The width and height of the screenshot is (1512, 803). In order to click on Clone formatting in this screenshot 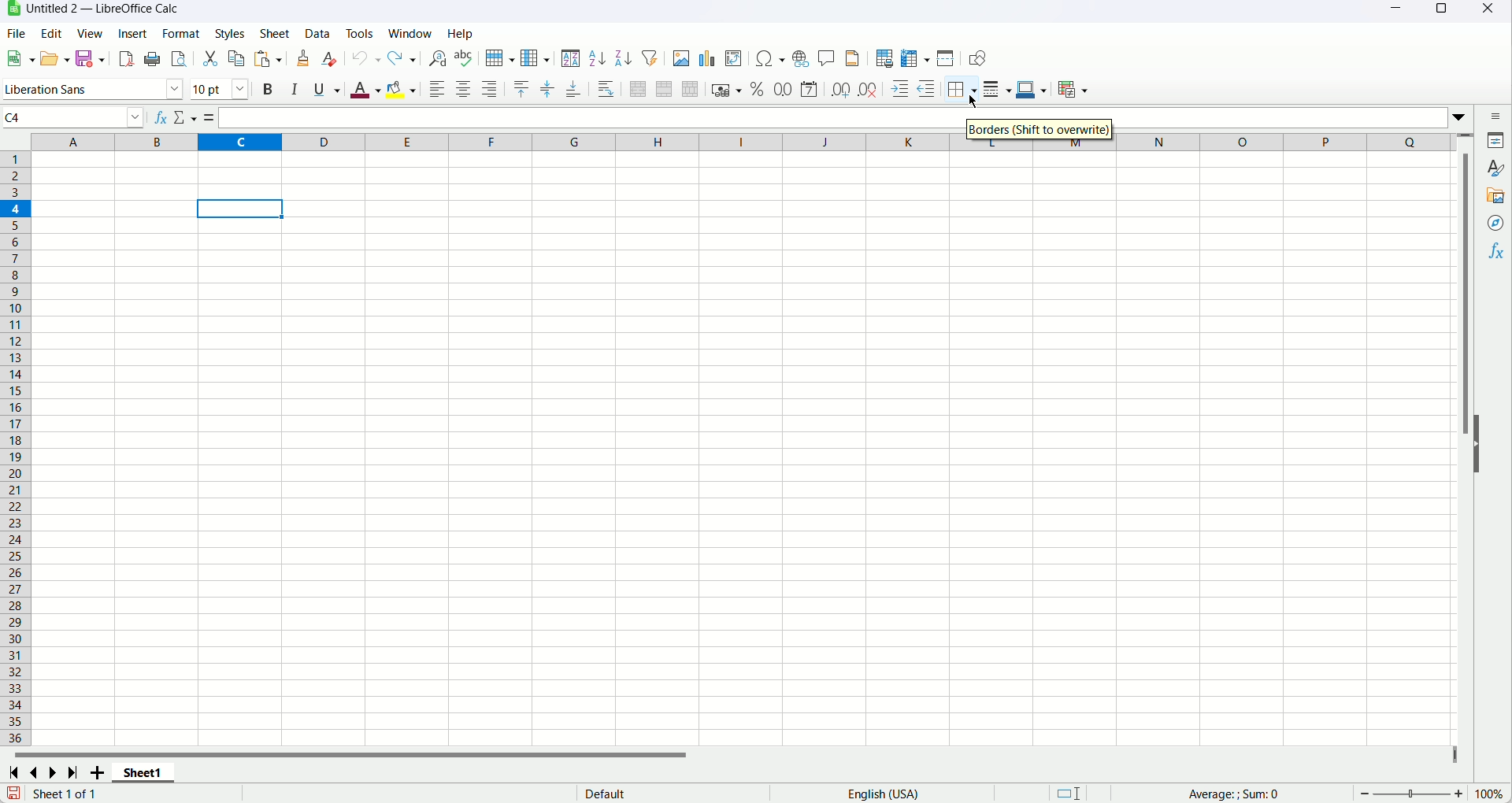, I will do `click(302, 58)`.